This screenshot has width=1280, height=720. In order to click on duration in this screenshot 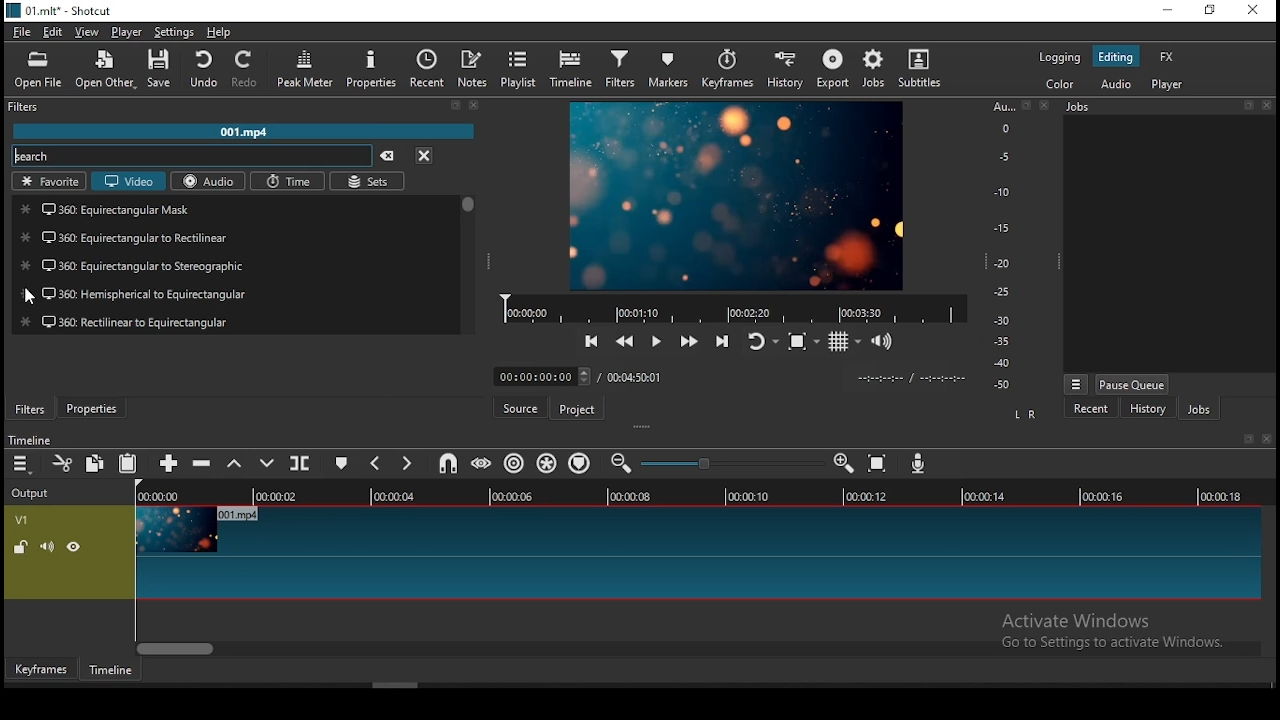, I will do `click(573, 376)`.